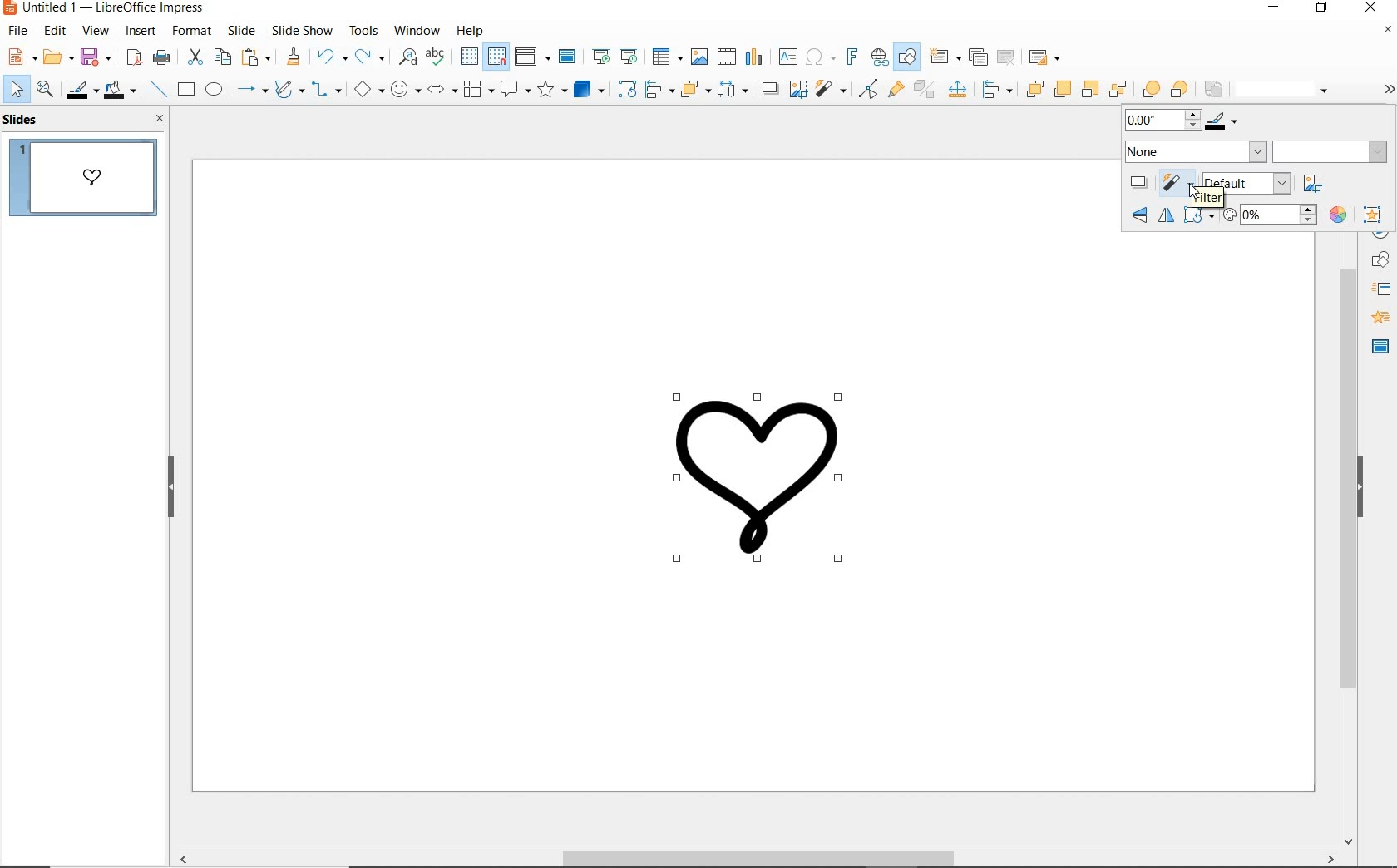 Image resolution: width=1397 pixels, height=868 pixels. What do you see at coordinates (1380, 318) in the screenshot?
I see `ANIMATION` at bounding box center [1380, 318].